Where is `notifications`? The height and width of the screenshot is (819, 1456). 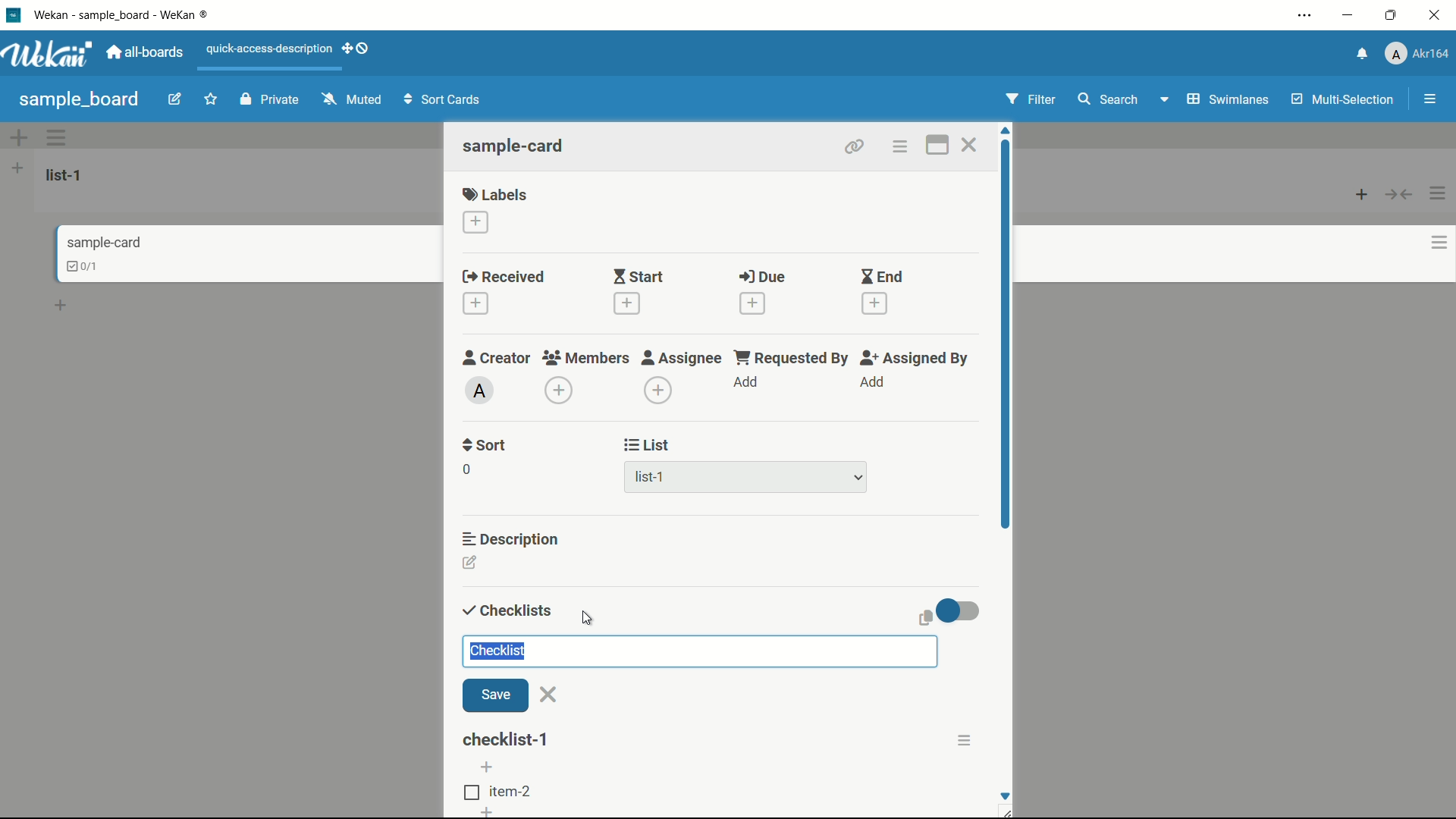 notifications is located at coordinates (1360, 52).